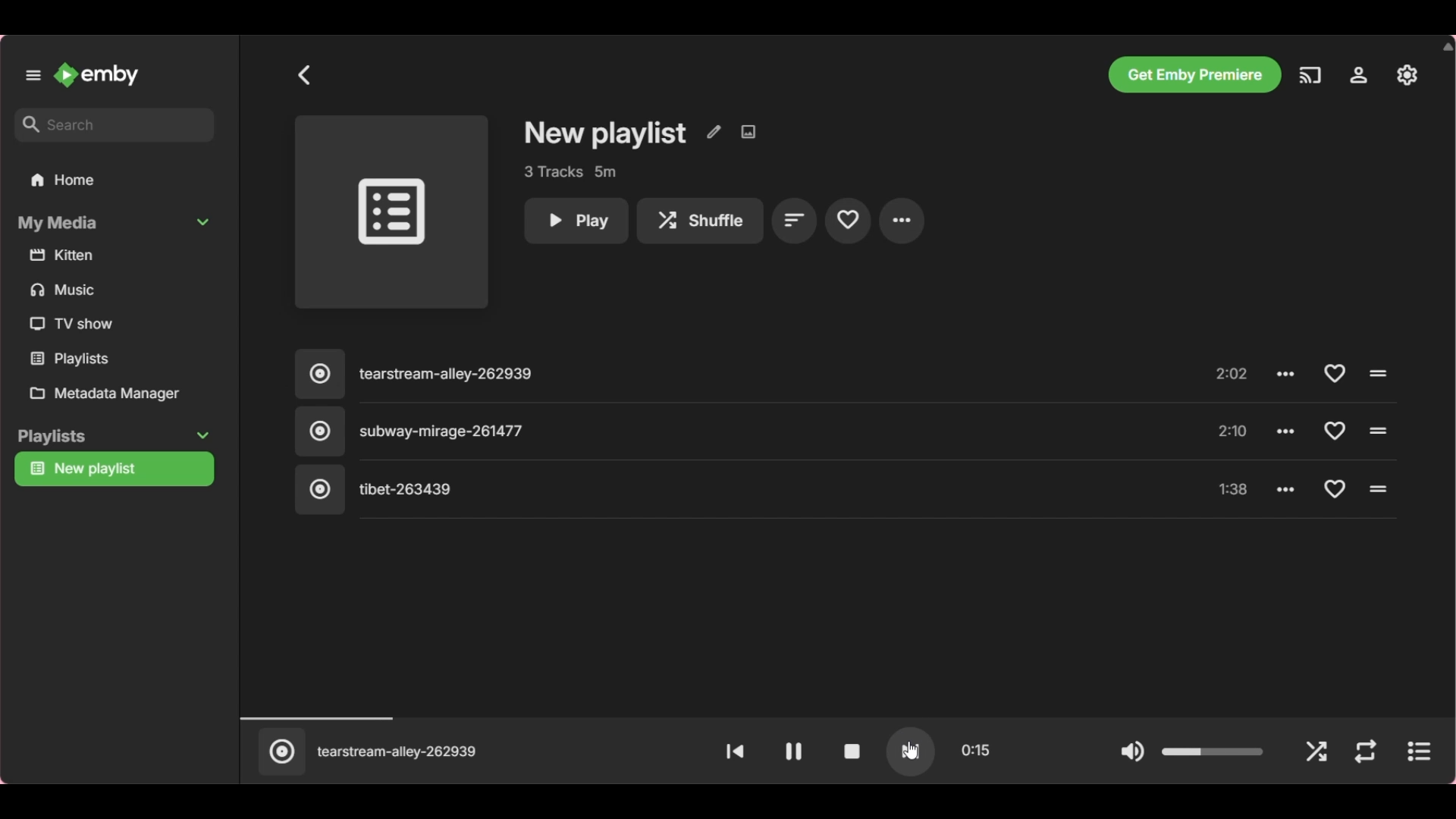  Describe the element at coordinates (698, 221) in the screenshot. I see `Shuffle` at that location.